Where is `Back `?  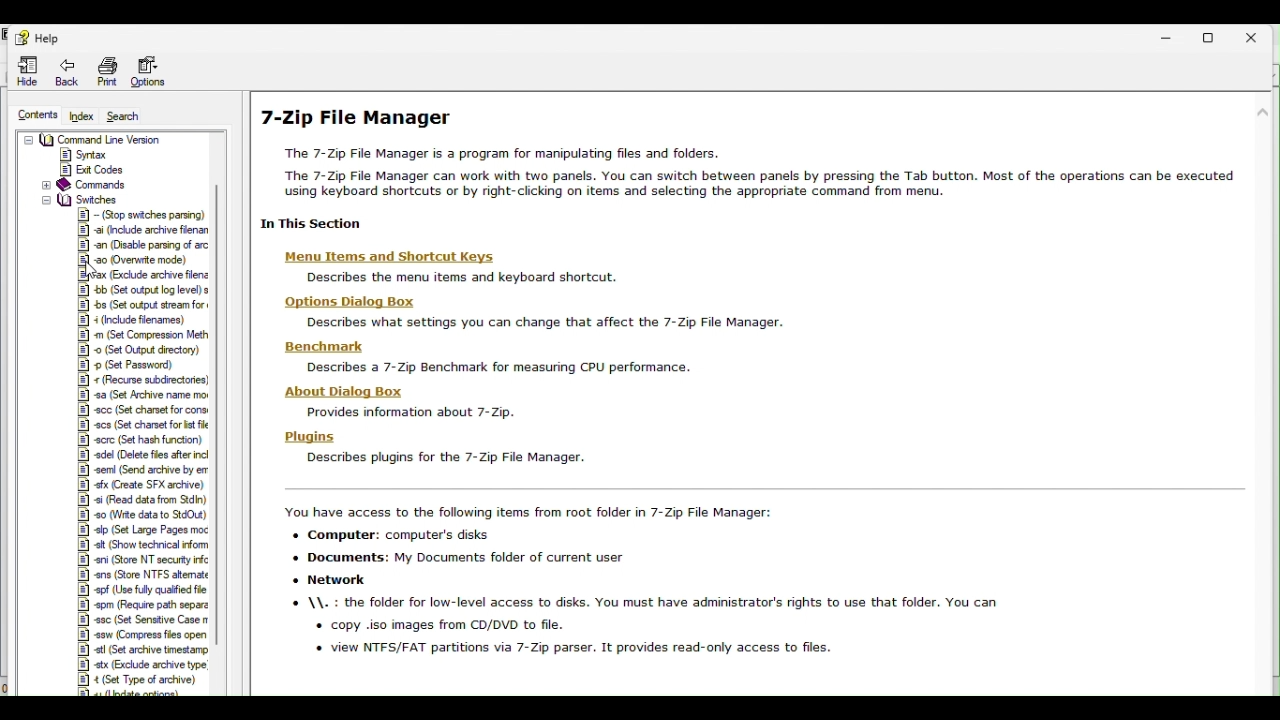 Back  is located at coordinates (70, 72).